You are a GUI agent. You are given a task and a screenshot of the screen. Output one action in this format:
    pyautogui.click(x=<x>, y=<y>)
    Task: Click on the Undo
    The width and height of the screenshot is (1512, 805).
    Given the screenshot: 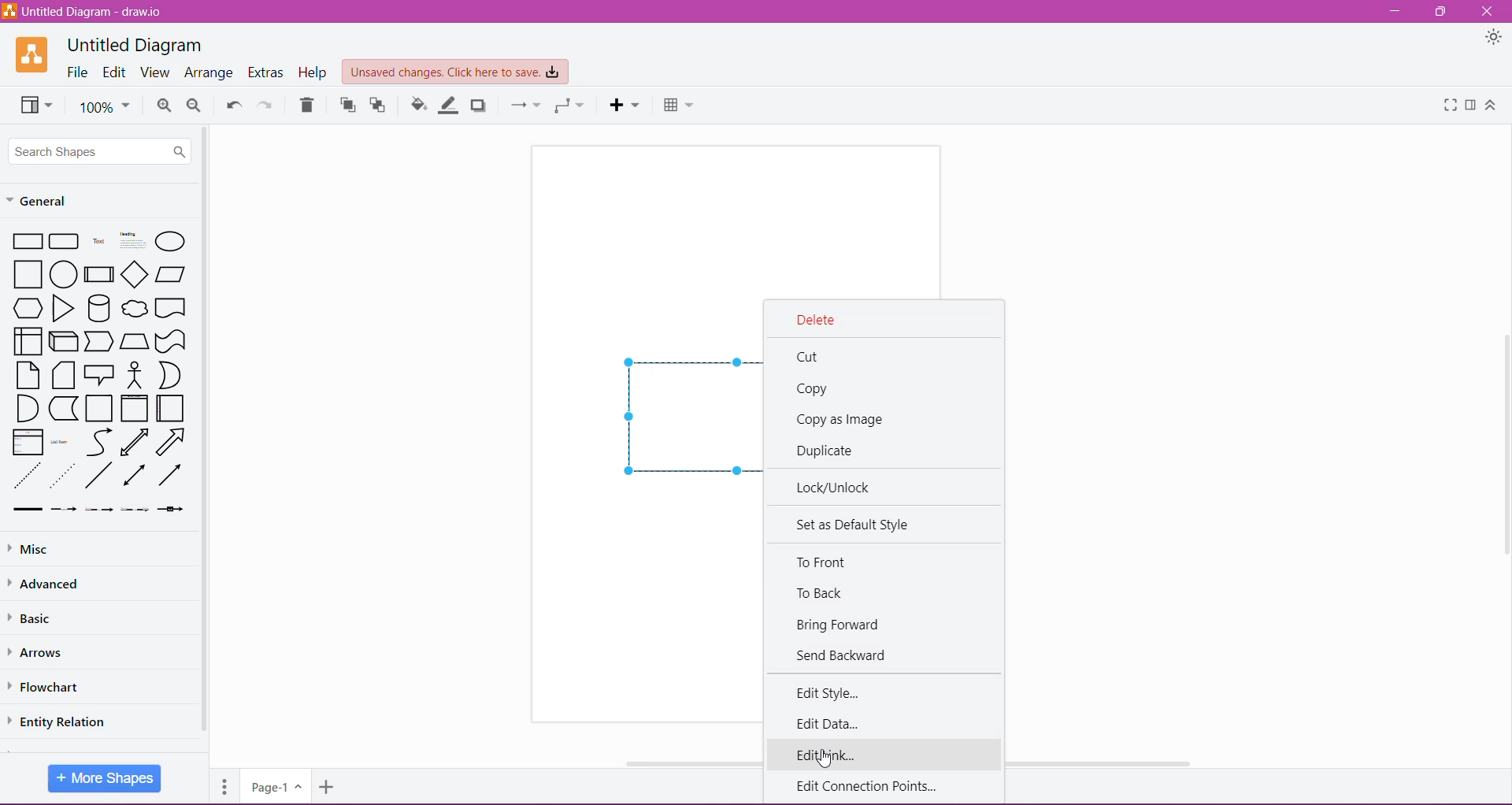 What is the action you would take?
    pyautogui.click(x=235, y=102)
    